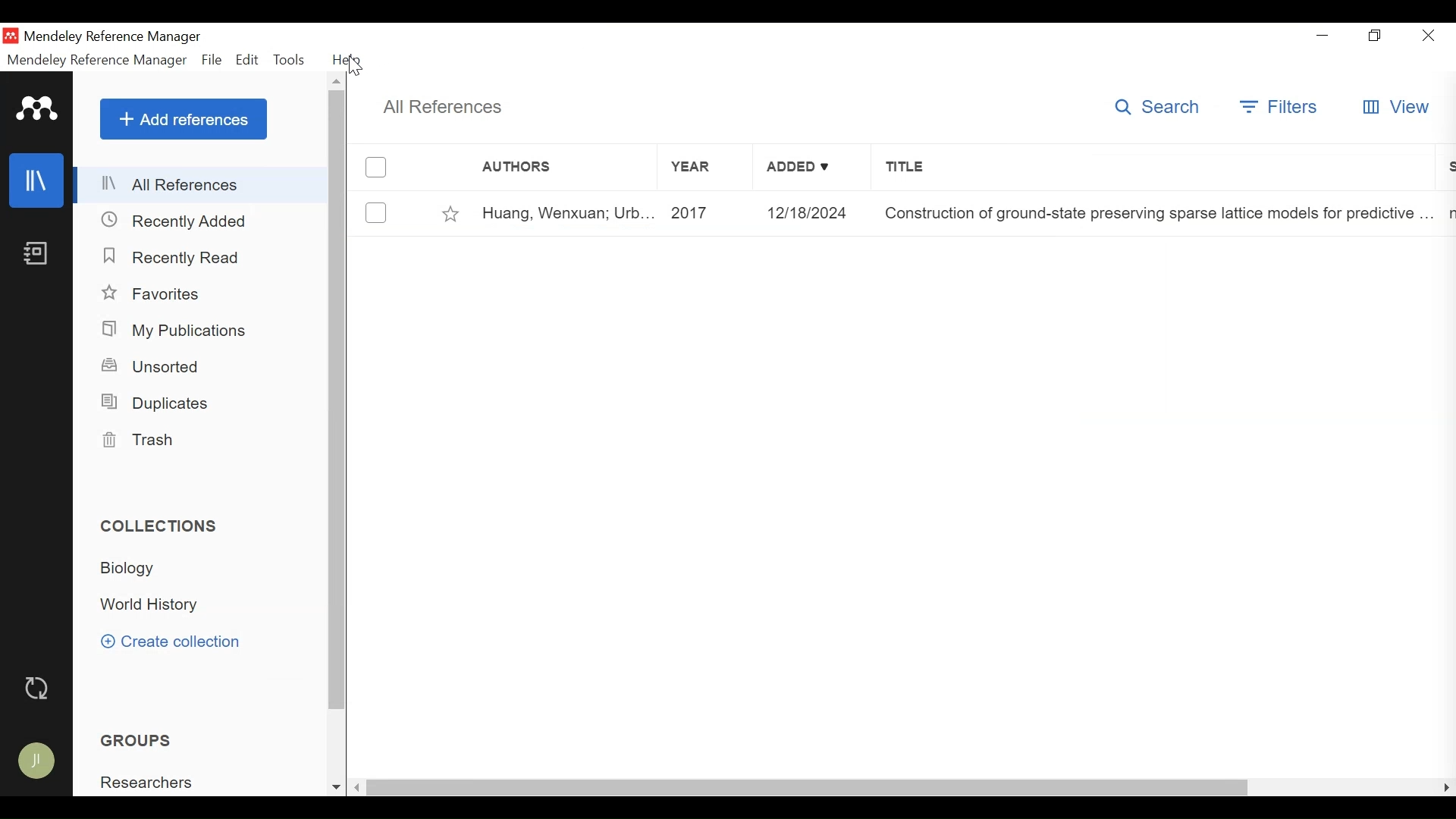 This screenshot has height=819, width=1456. Describe the element at coordinates (133, 569) in the screenshot. I see `Collection` at that location.